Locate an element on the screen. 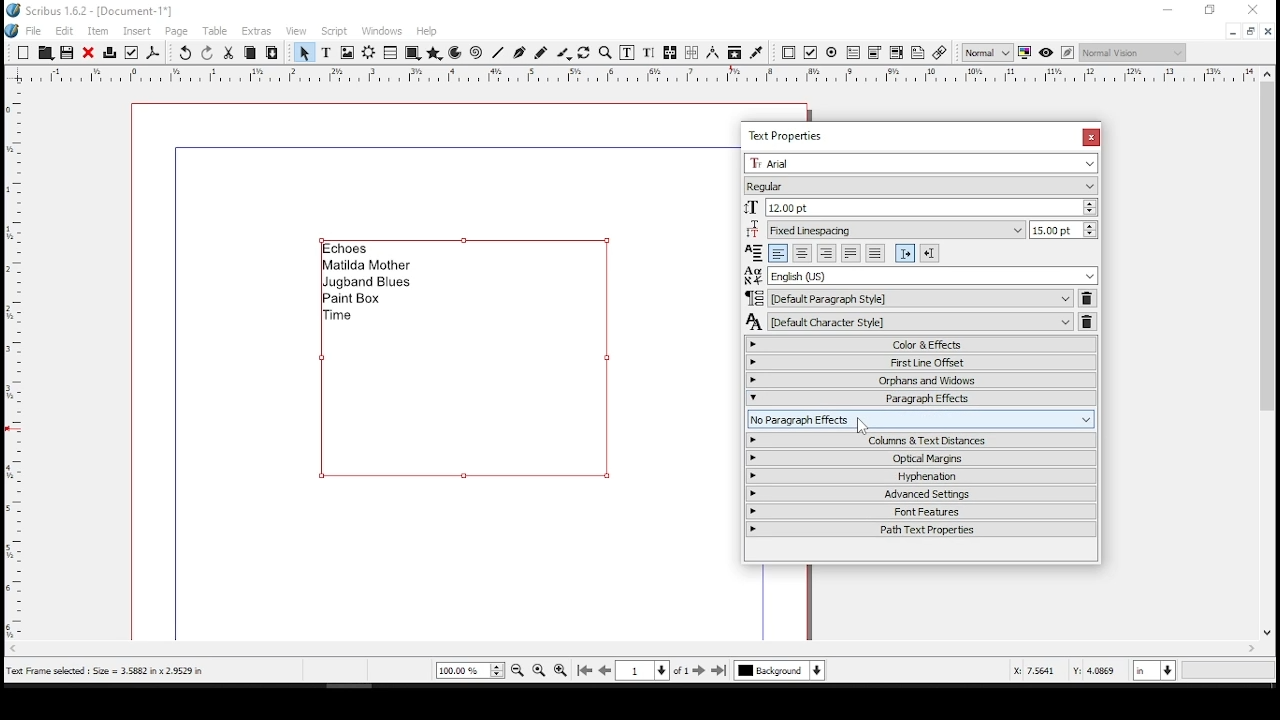 The width and height of the screenshot is (1280, 720). print is located at coordinates (111, 51).